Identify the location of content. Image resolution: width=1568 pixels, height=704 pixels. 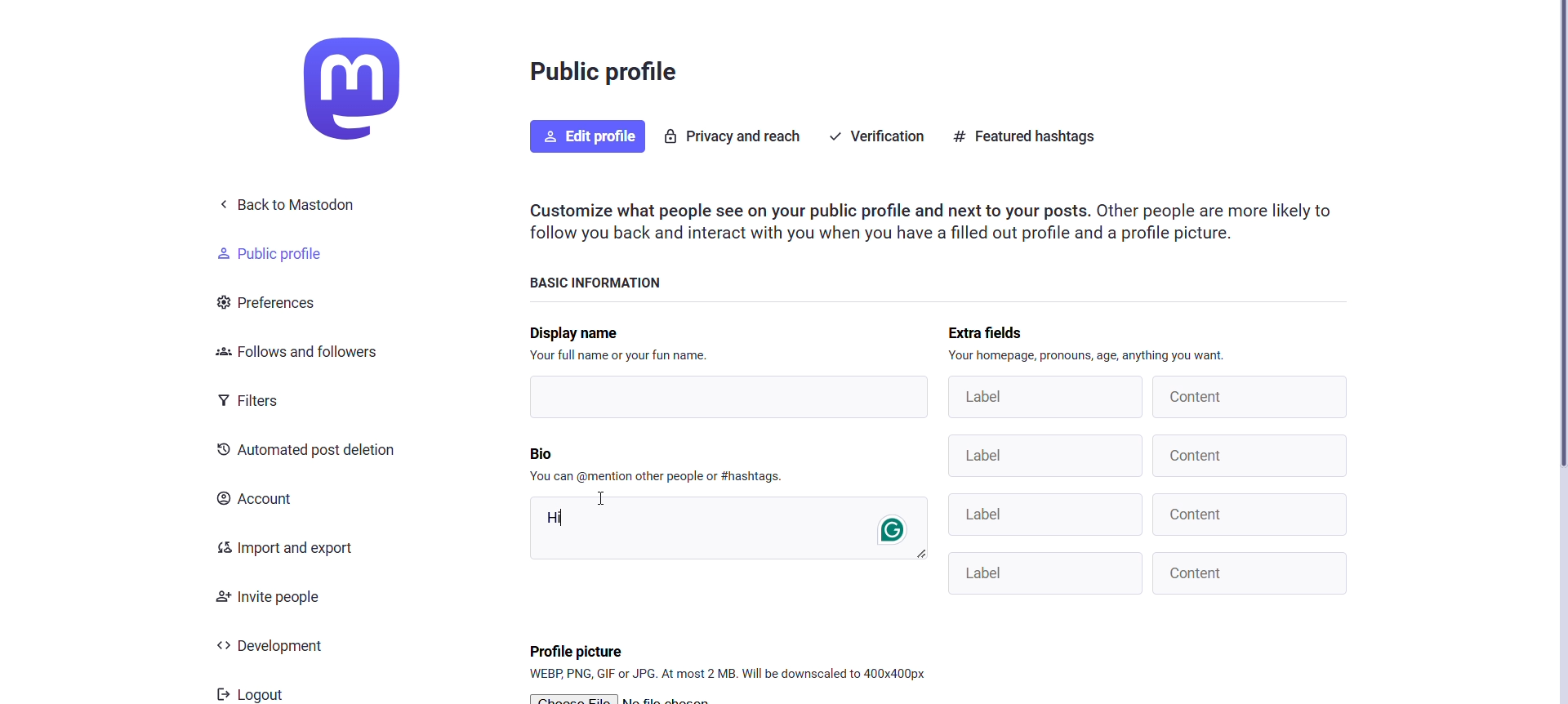
(1253, 455).